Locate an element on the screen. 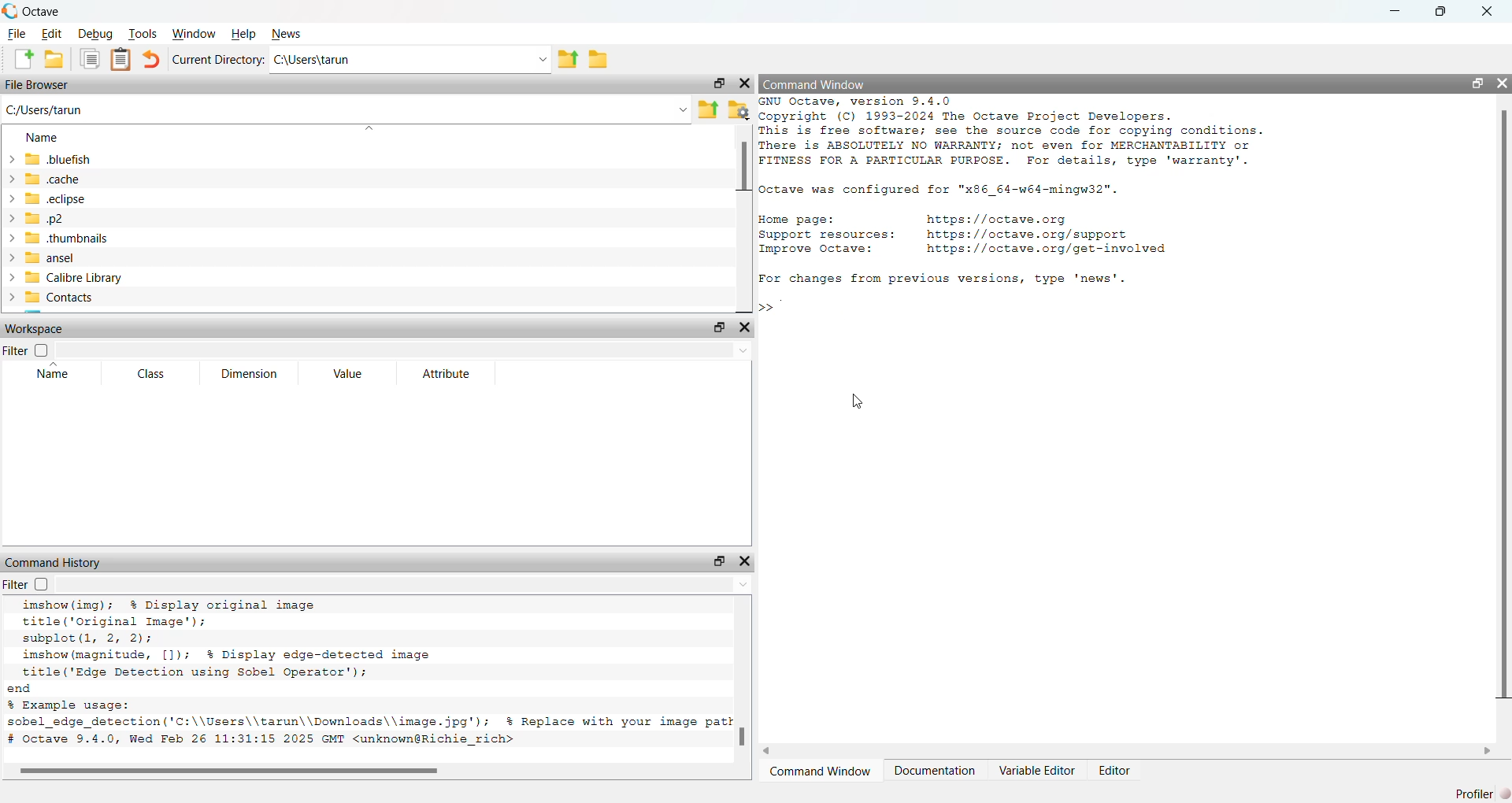 This screenshot has height=803, width=1512. C\Users\tarun v is located at coordinates (409, 60).